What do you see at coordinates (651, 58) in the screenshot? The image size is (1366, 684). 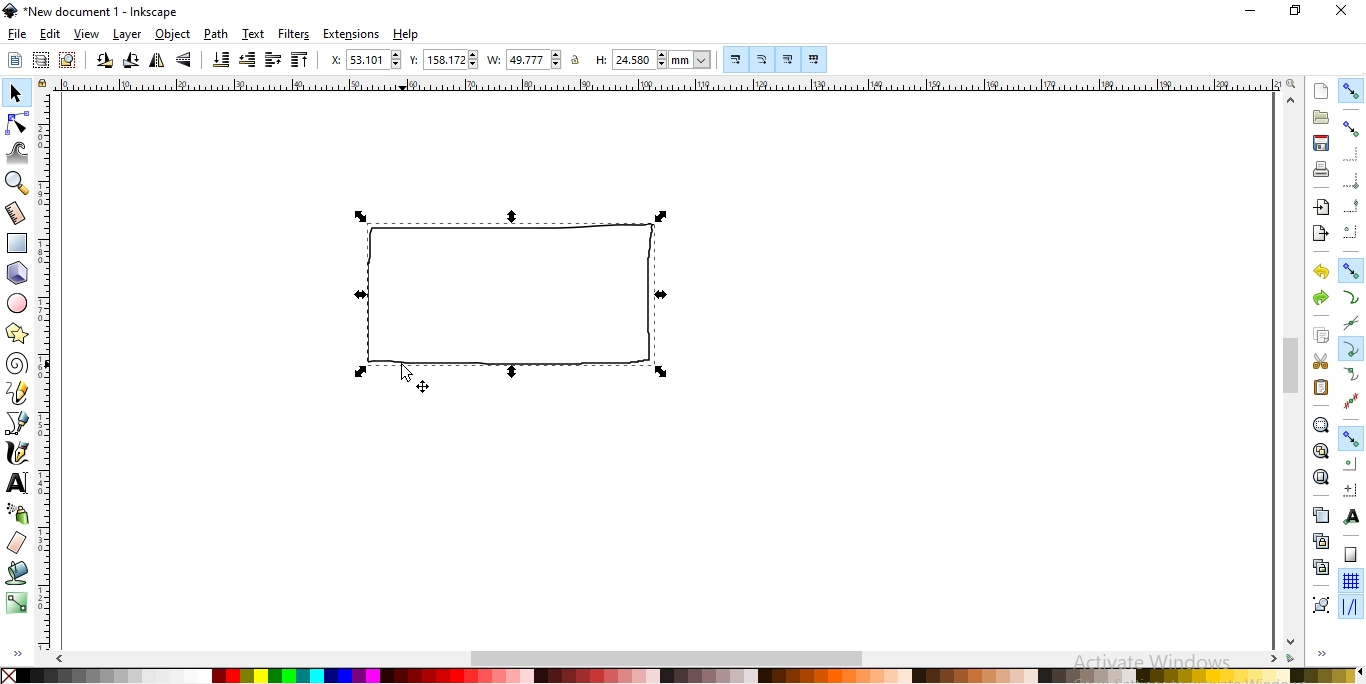 I see `height of selection` at bounding box center [651, 58].